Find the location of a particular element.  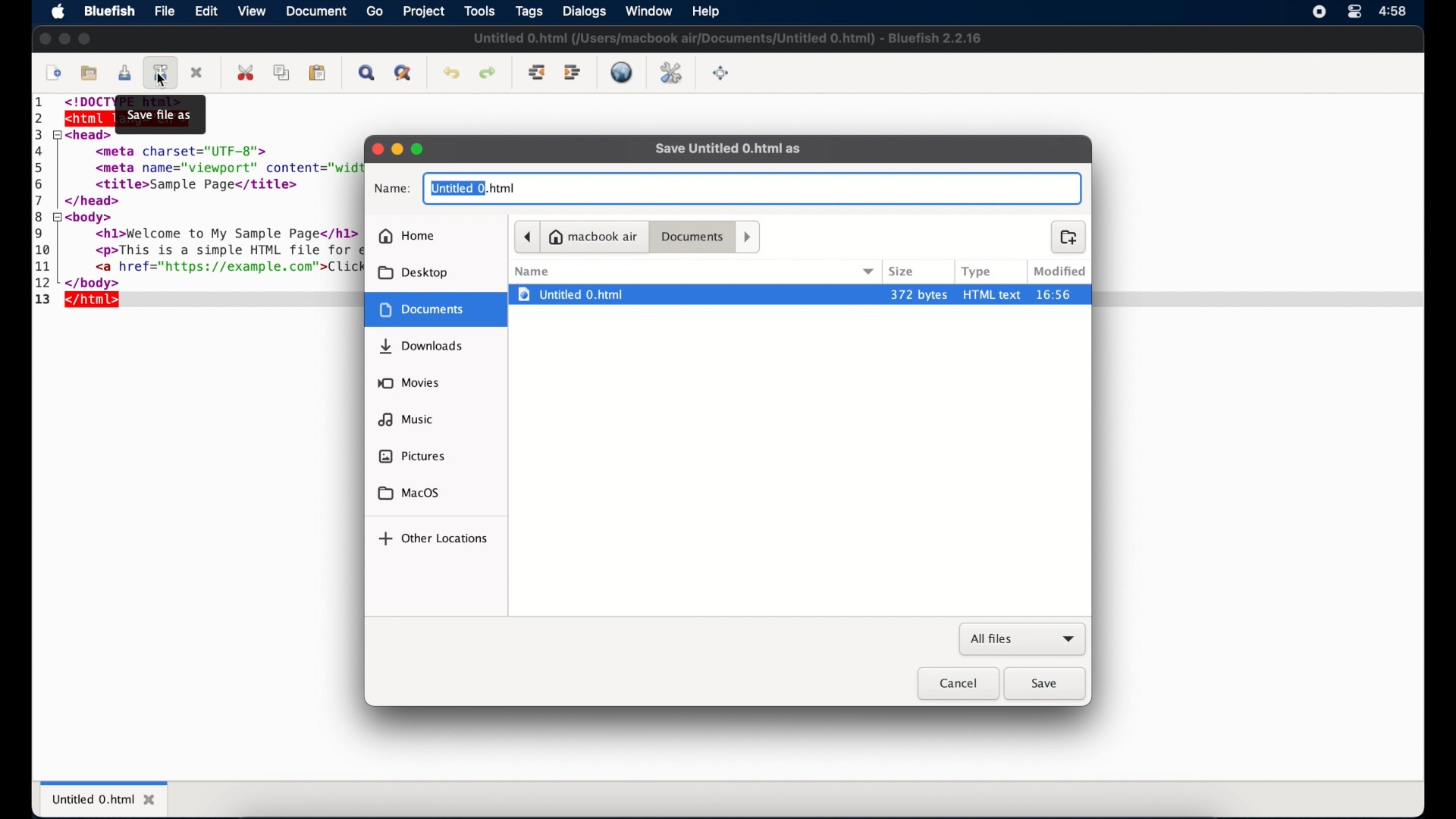

previous folder is located at coordinates (527, 237).